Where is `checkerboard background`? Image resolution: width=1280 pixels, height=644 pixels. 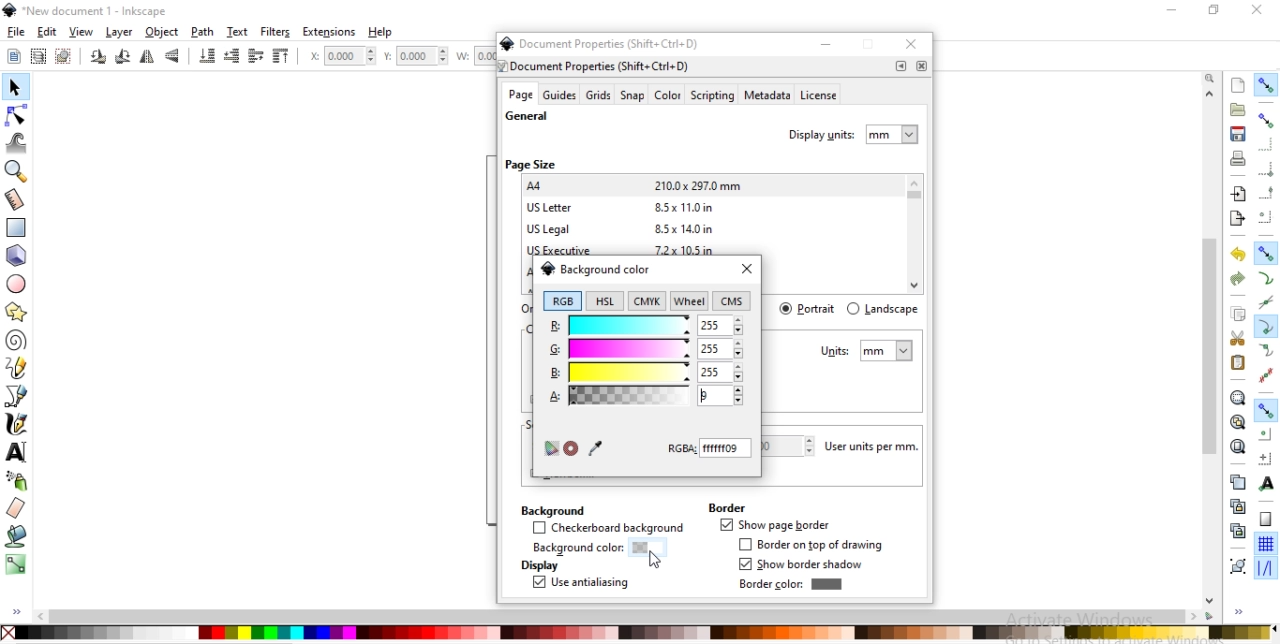
checkerboard background is located at coordinates (609, 529).